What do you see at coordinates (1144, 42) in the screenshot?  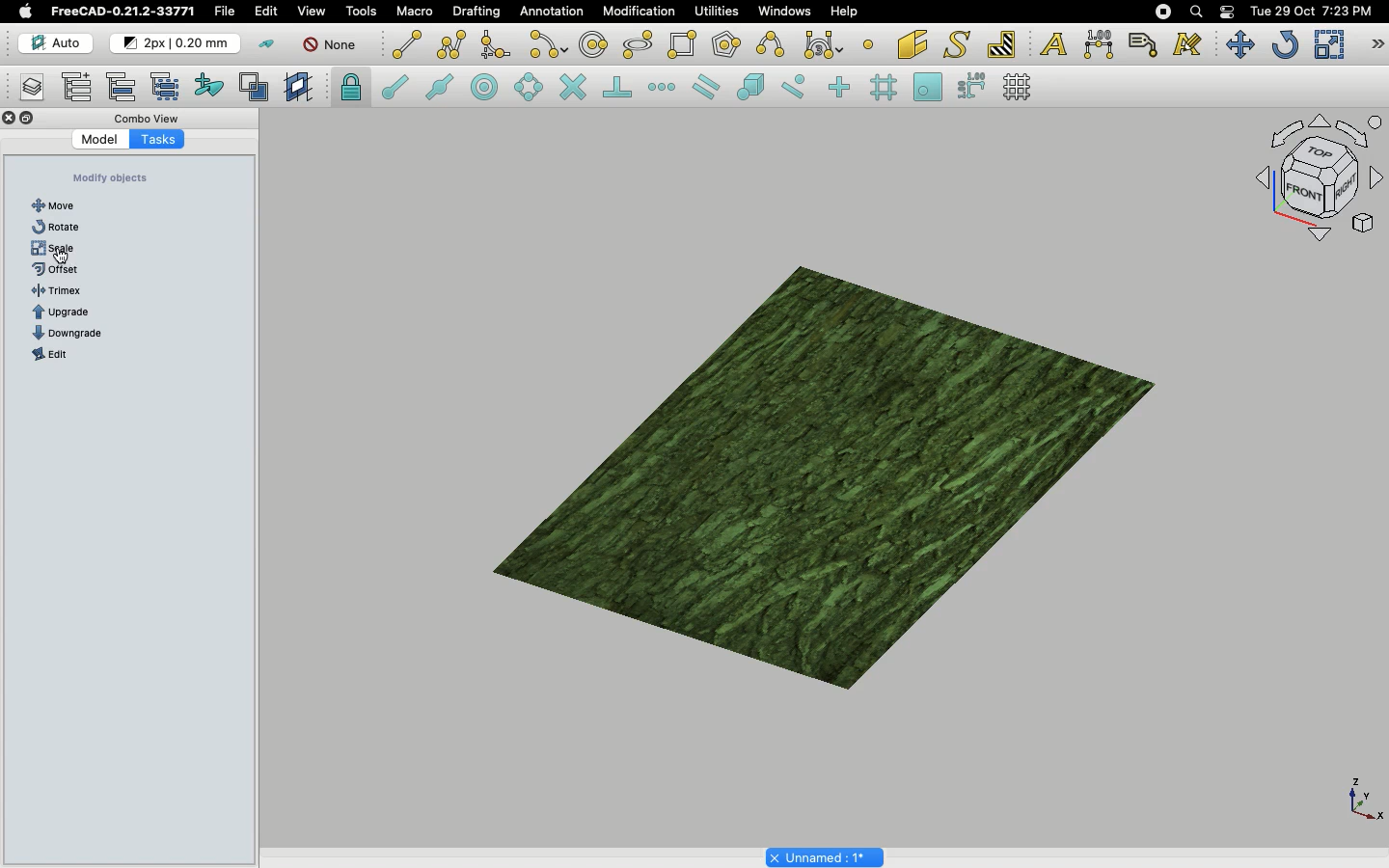 I see `Label` at bounding box center [1144, 42].